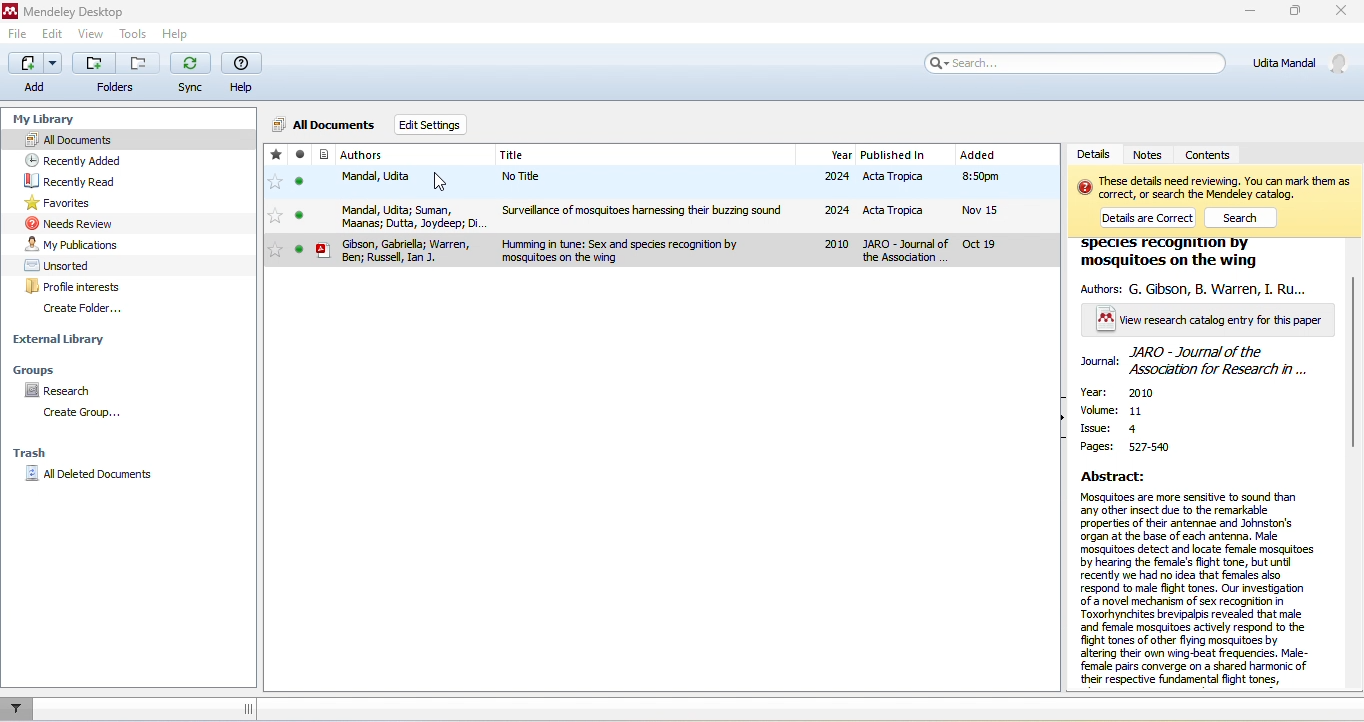 The height and width of the screenshot is (722, 1364). What do you see at coordinates (1199, 362) in the screenshot?
I see `journal :jaro journal of the association for research in` at bounding box center [1199, 362].